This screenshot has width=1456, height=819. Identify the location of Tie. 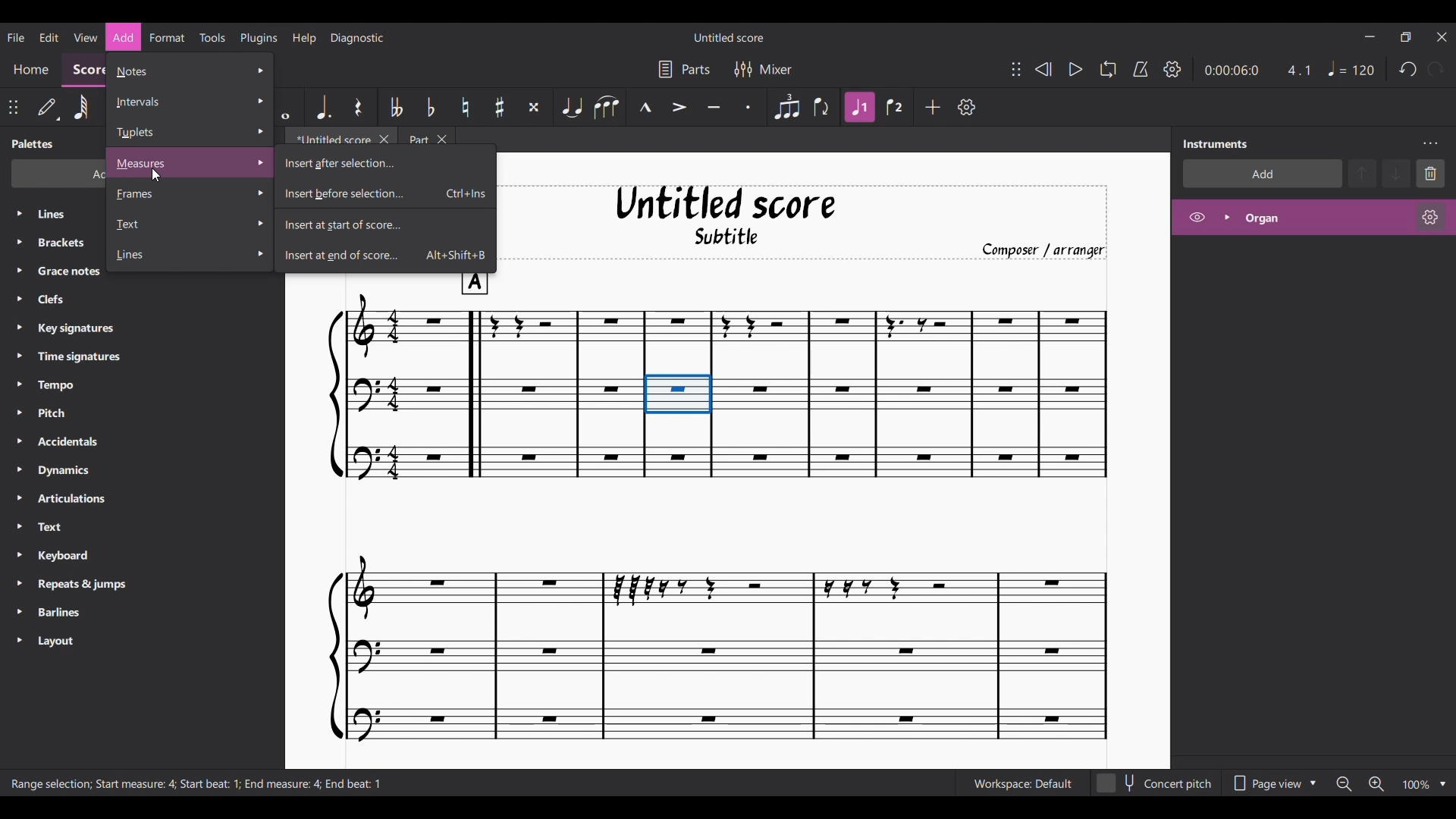
(572, 108).